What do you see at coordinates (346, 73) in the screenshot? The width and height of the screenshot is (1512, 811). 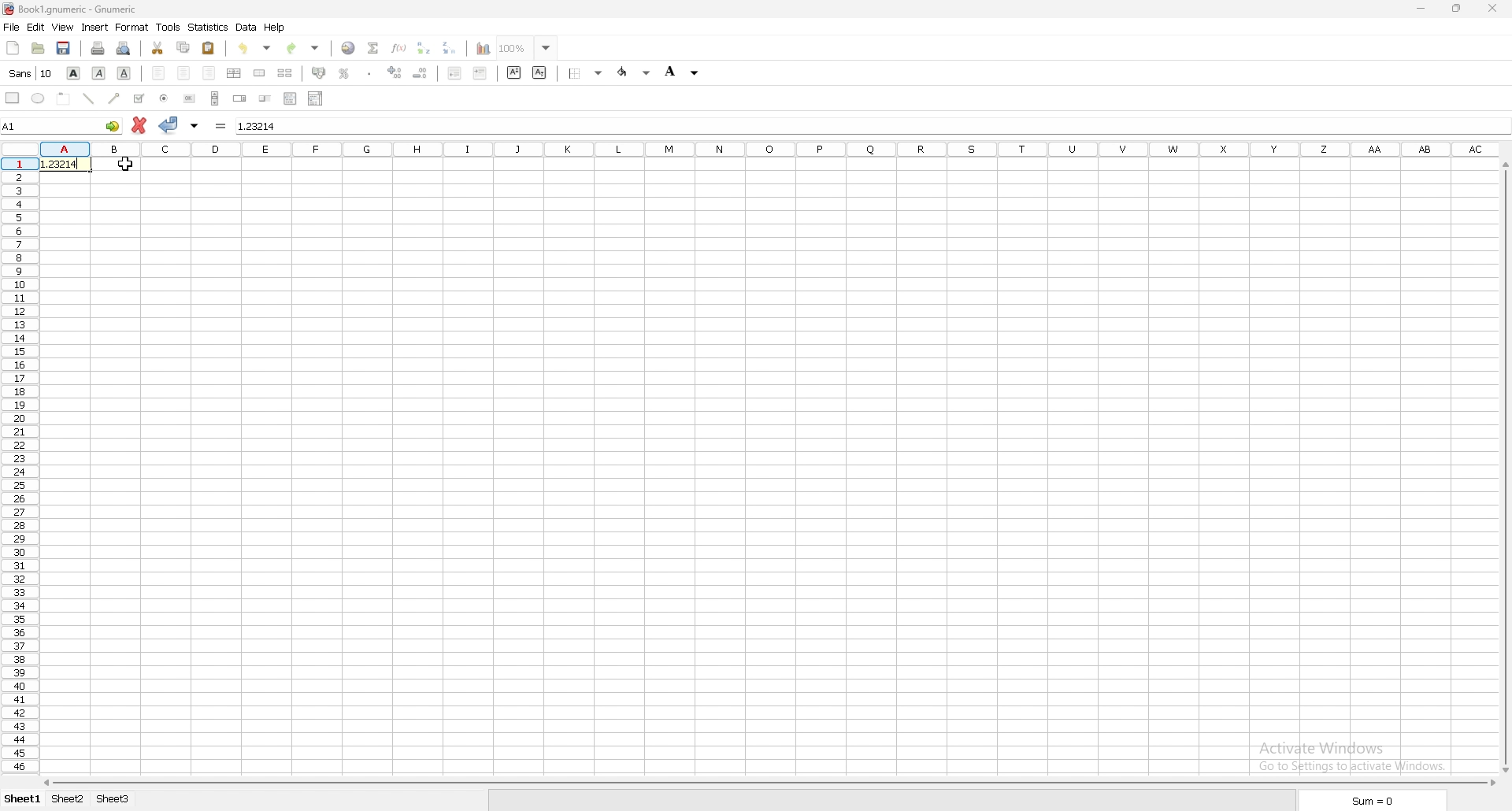 I see `percentage` at bounding box center [346, 73].